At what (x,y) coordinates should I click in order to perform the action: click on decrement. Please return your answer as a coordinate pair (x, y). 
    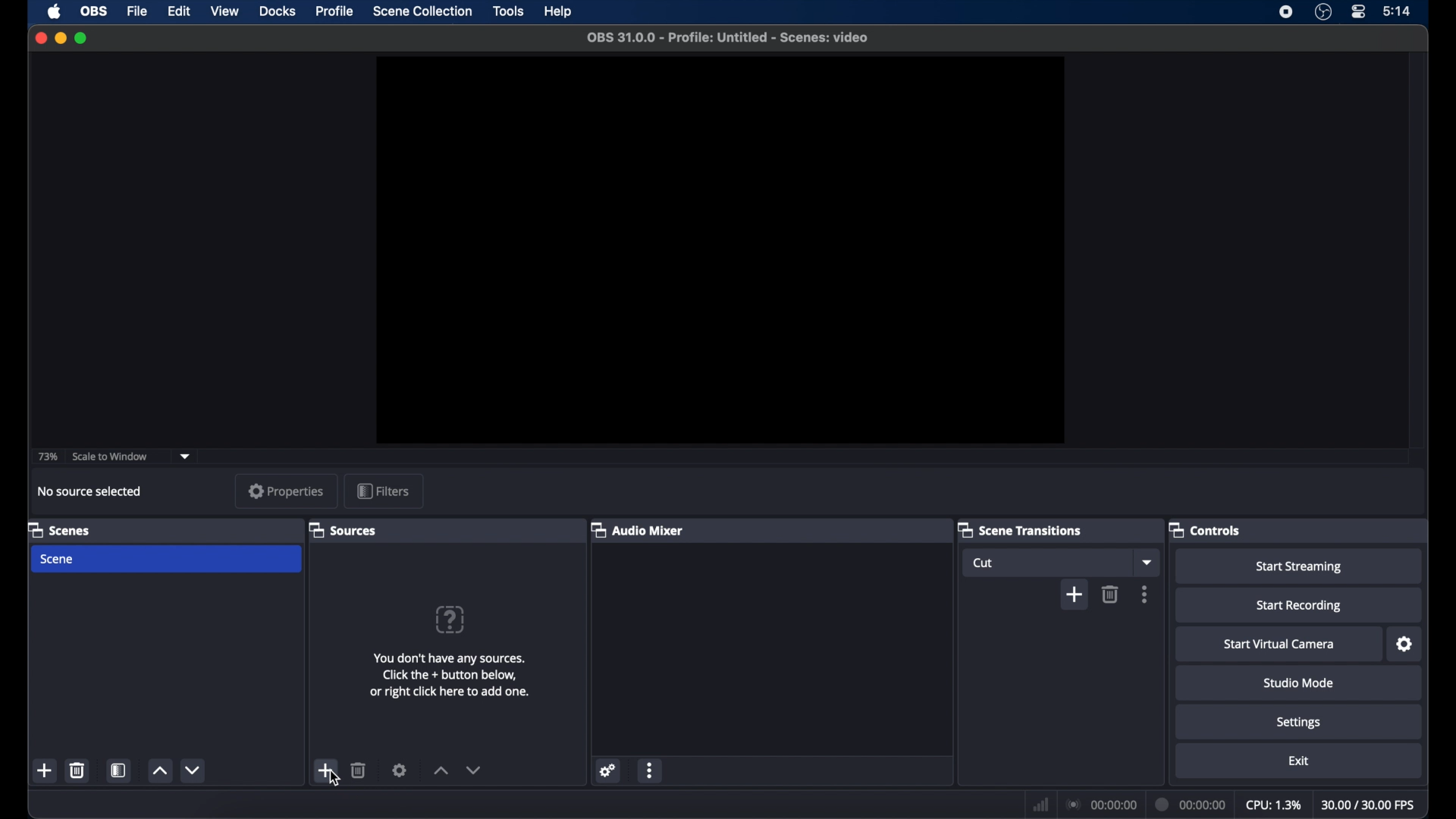
    Looking at the image, I should click on (194, 770).